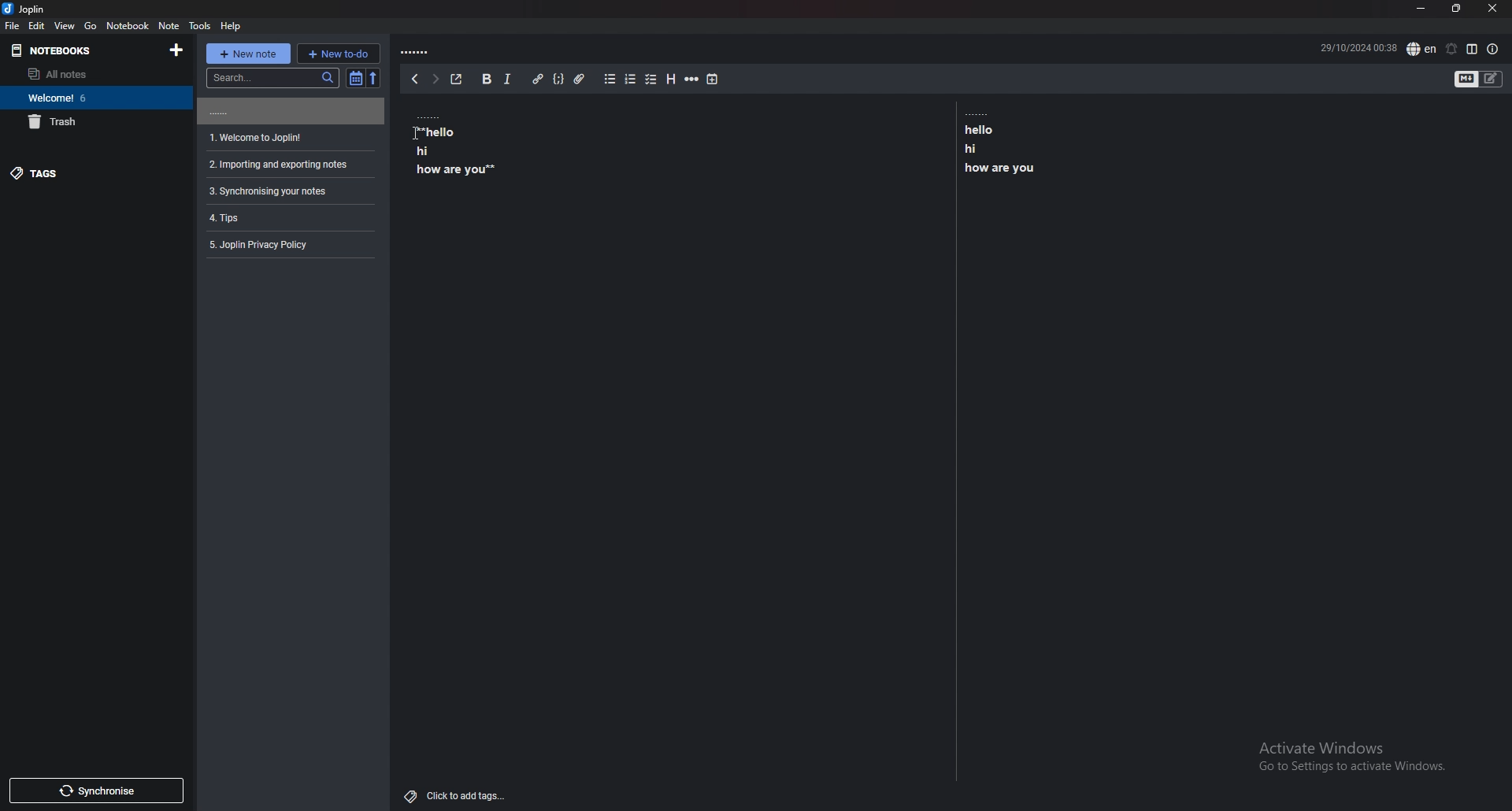  What do you see at coordinates (94, 98) in the screenshot?
I see `welcome` at bounding box center [94, 98].